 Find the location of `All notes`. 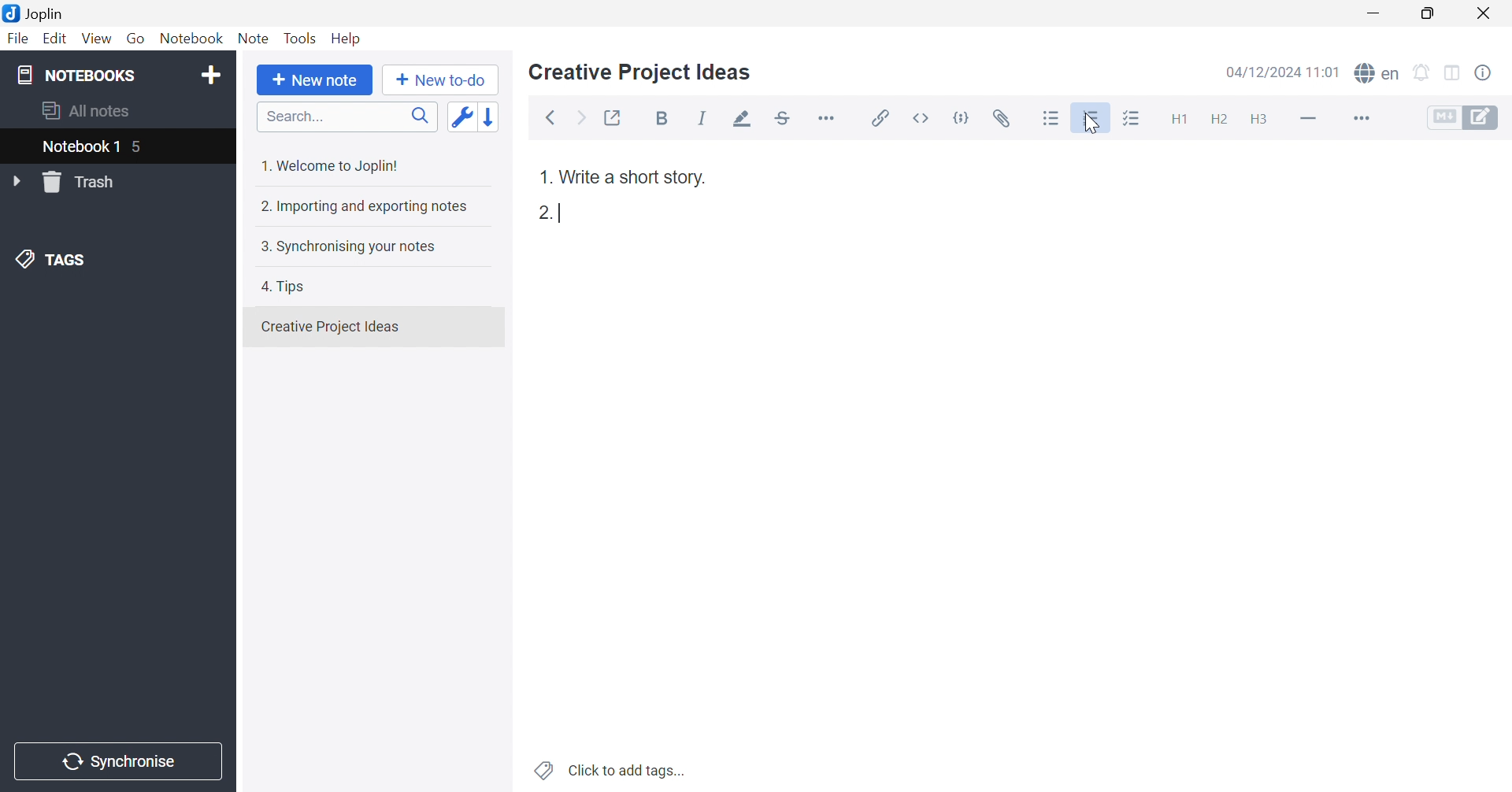

All notes is located at coordinates (83, 110).